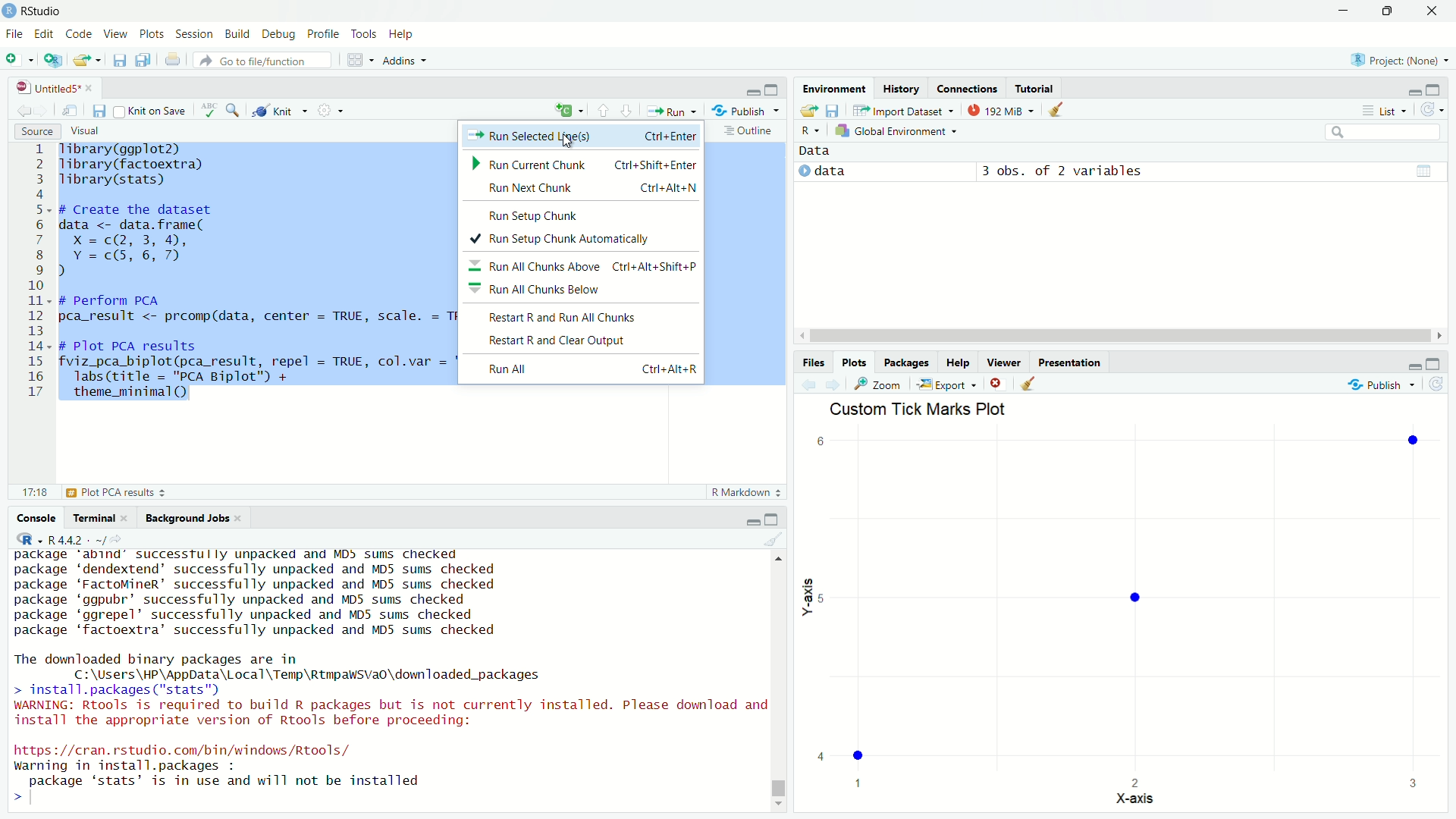 The image size is (1456, 819). What do you see at coordinates (389, 677) in the screenshot?
I see `package abind  successtully unpacked and MD> sums checked
package ‘dendextend’ successfully unpacked and MD5 sums checked
package ‘FactoMineR’ successfully unpacked and MD5 sums checked
package ‘ggpubr’ successfully unpacked and MD5 sums checked
package ‘ggrepel’ successfully unpacked and MD5 sums checked
package ‘factoextra’ successfully unpacked and MD5 sums checked
The downloaded binary packages are in
C:\Users\HP\AppData\Local\Temp\RtmpawSva0o\downloaded_packages

> install.packages ("stats")
WARNING: Rtools is required to build R packages but is not currently installed. Please download and
install the appropriate version of Rtools before proceeding:
https://cran.rstudio.com/bin/windows /Rtools/
warning in install.packages :

package ‘stats’ is in use and will not be installed
>` at bounding box center [389, 677].